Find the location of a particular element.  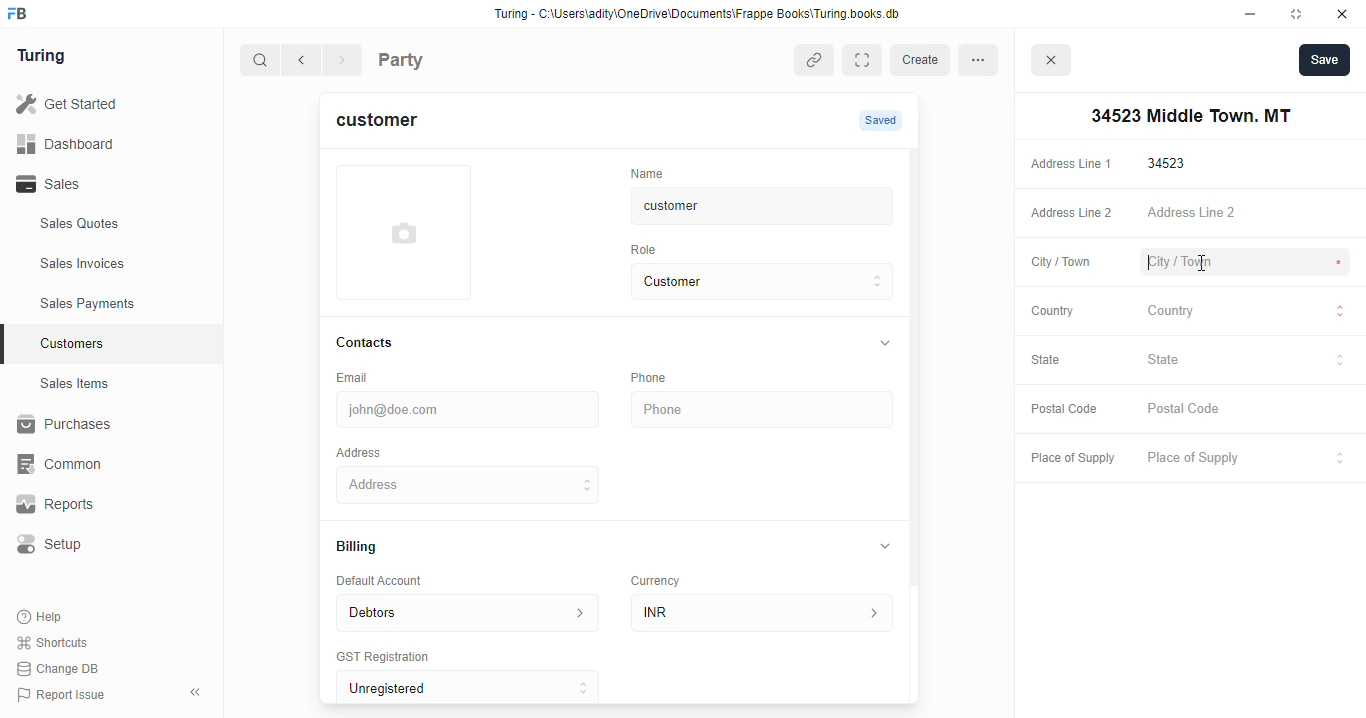

Unregistered is located at coordinates (477, 688).